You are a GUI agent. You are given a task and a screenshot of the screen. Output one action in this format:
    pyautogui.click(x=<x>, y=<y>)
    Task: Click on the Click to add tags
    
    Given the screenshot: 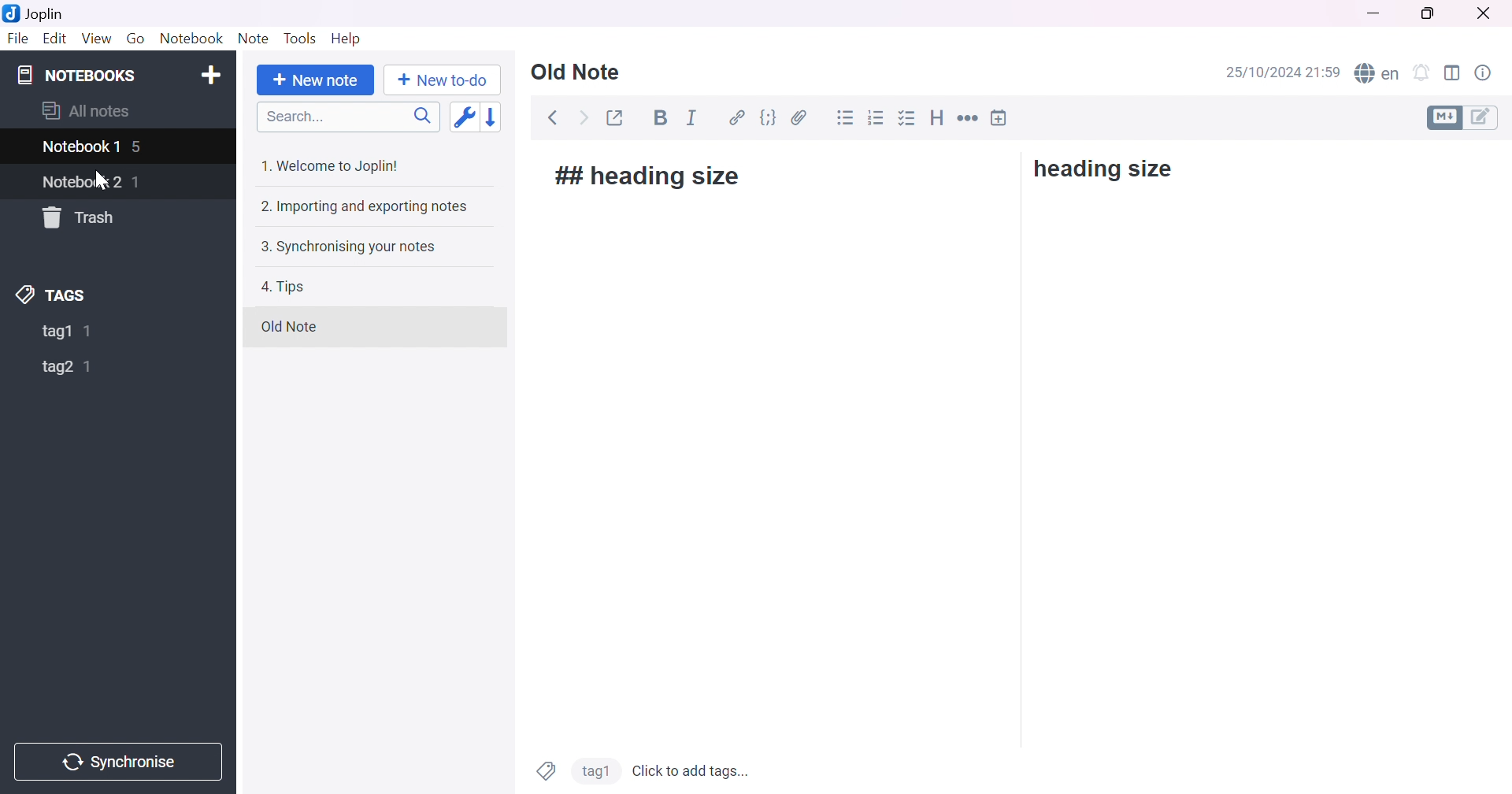 What is the action you would take?
    pyautogui.click(x=692, y=769)
    